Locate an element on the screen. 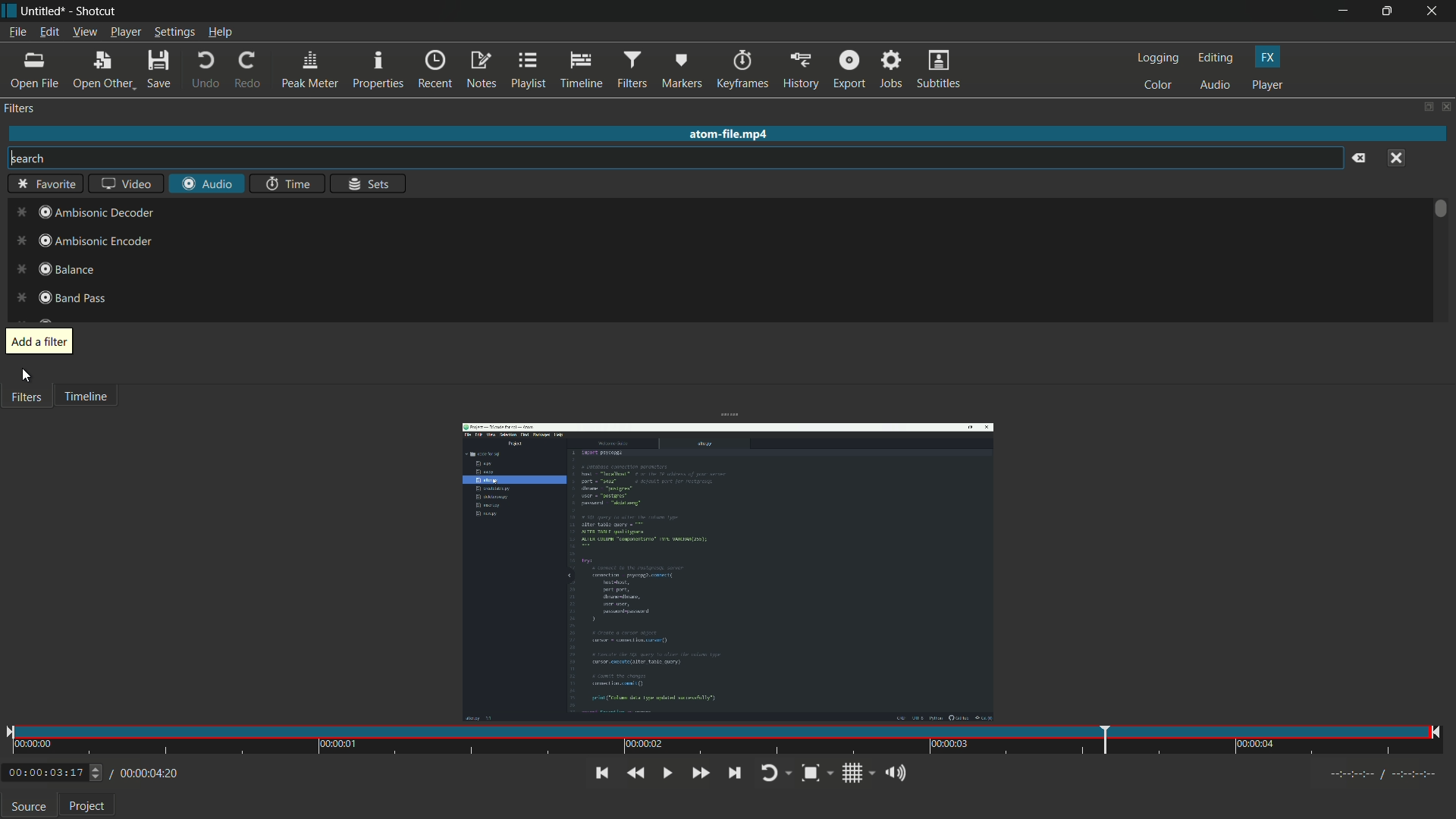 Image resolution: width=1456 pixels, height=819 pixels. history is located at coordinates (802, 68).